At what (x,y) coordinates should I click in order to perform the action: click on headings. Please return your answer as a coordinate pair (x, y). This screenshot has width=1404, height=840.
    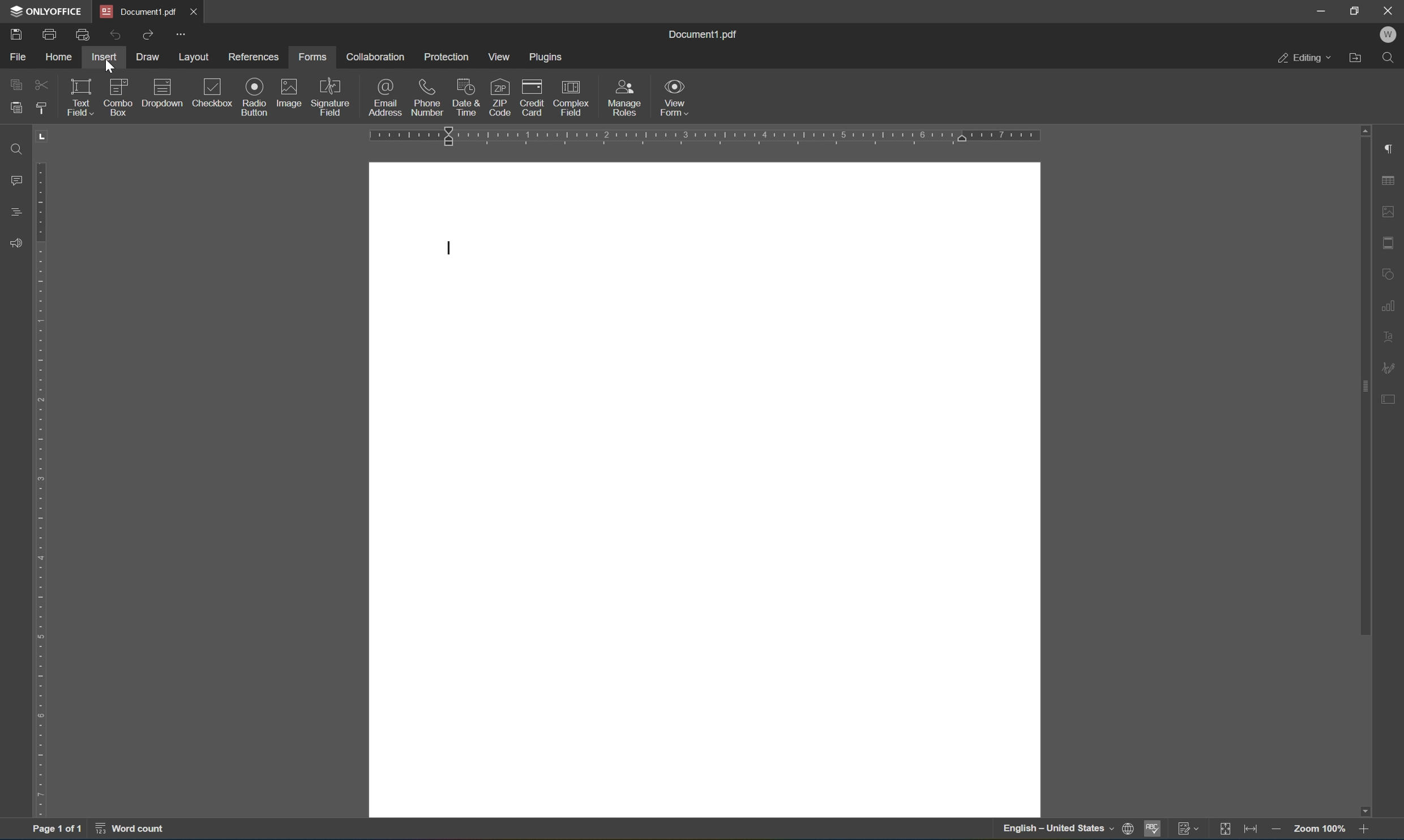
    Looking at the image, I should click on (15, 212).